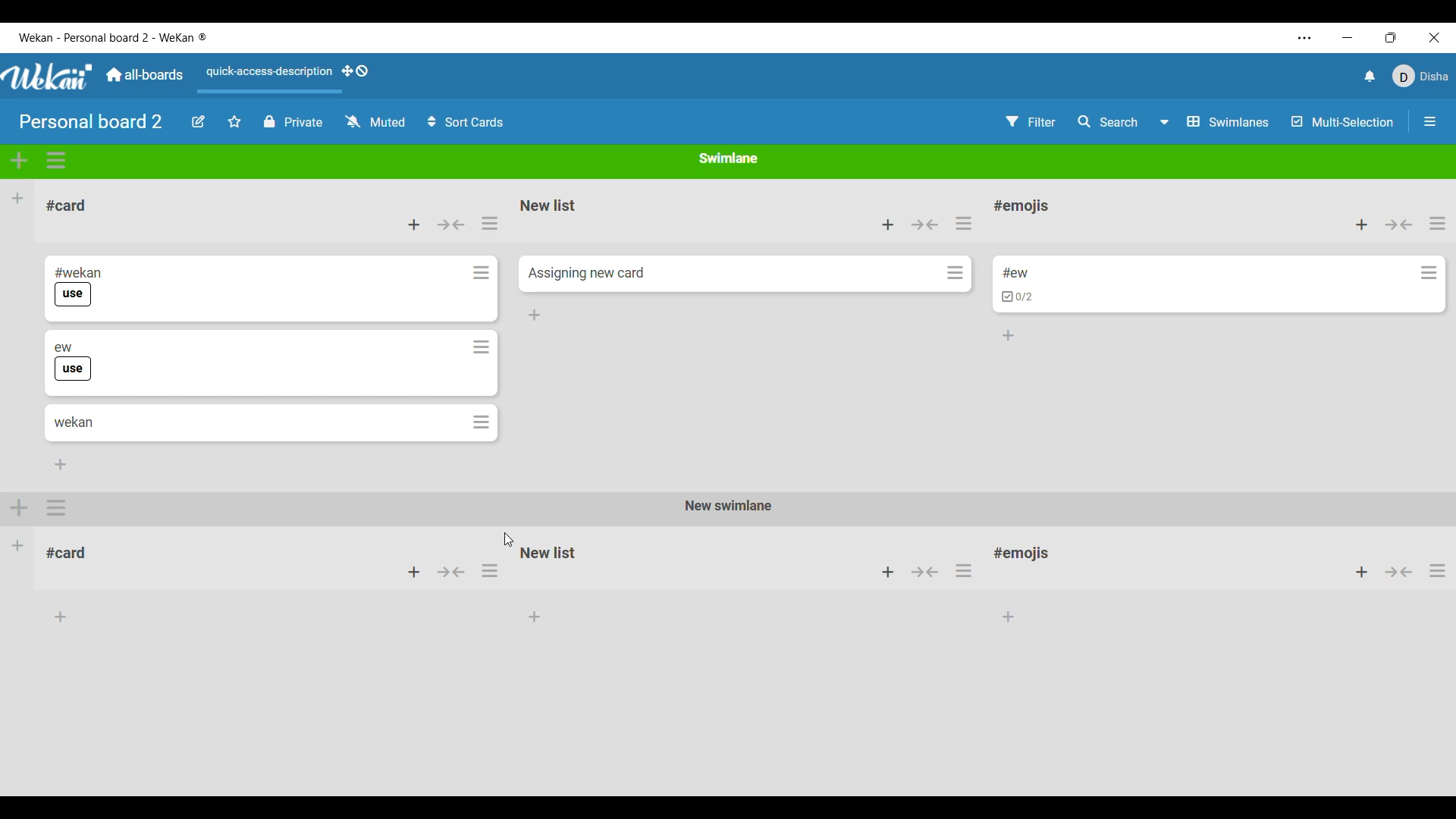 The image size is (1456, 819). Describe the element at coordinates (1215, 122) in the screenshot. I see `Board view options` at that location.